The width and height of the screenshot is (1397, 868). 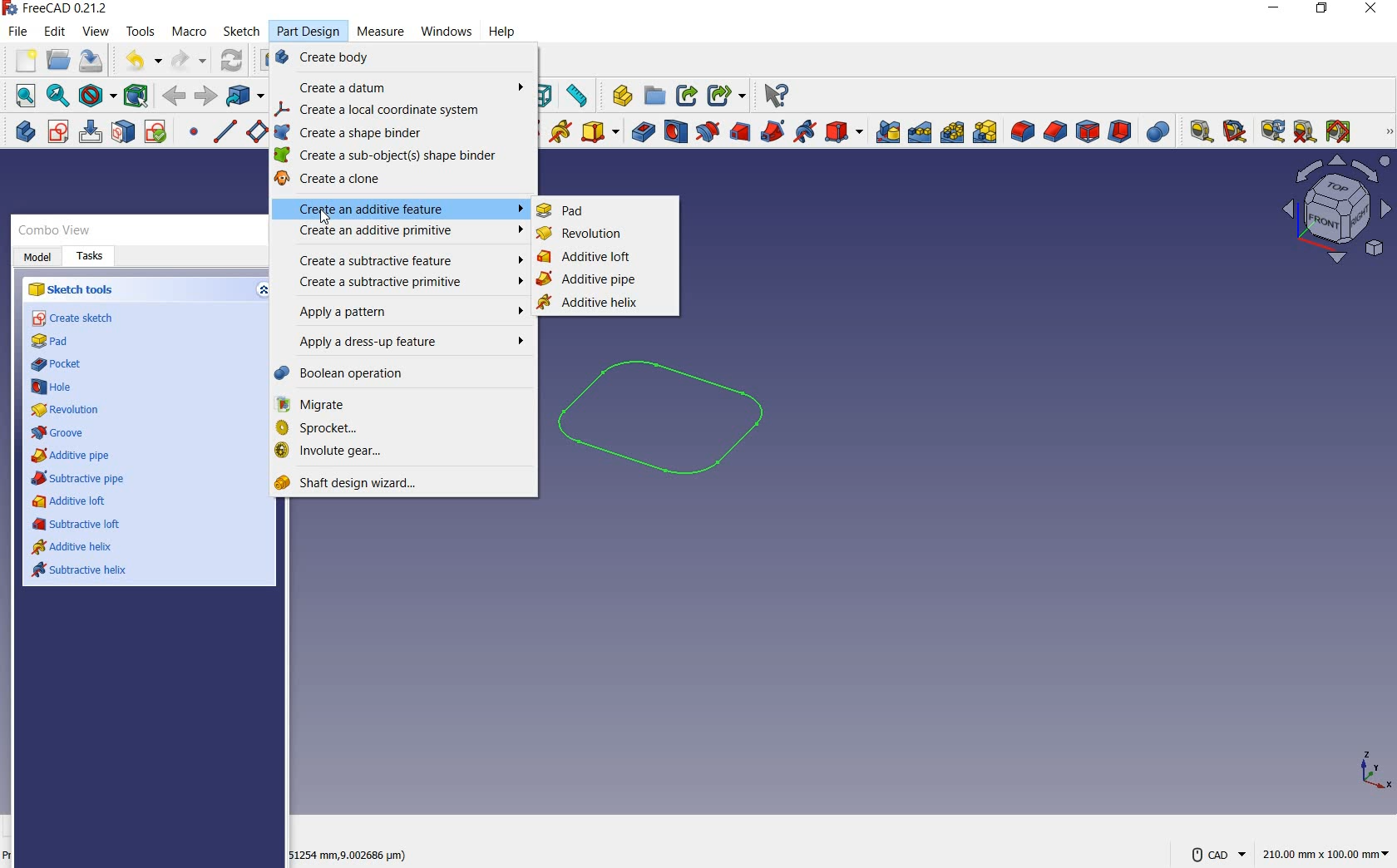 What do you see at coordinates (405, 258) in the screenshot?
I see `create a subtractive feature` at bounding box center [405, 258].